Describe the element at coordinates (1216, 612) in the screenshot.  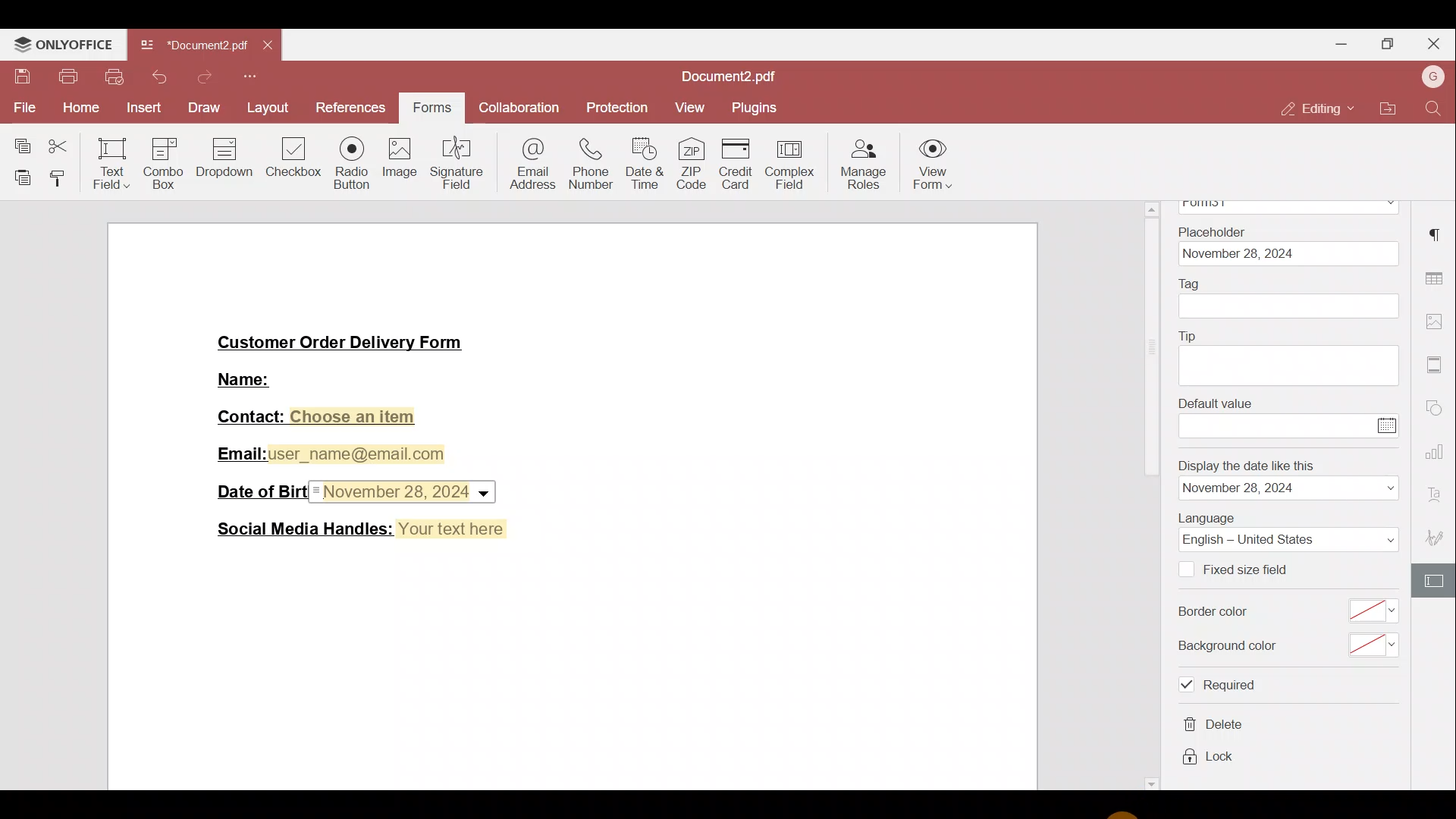
I see `Border color` at that location.